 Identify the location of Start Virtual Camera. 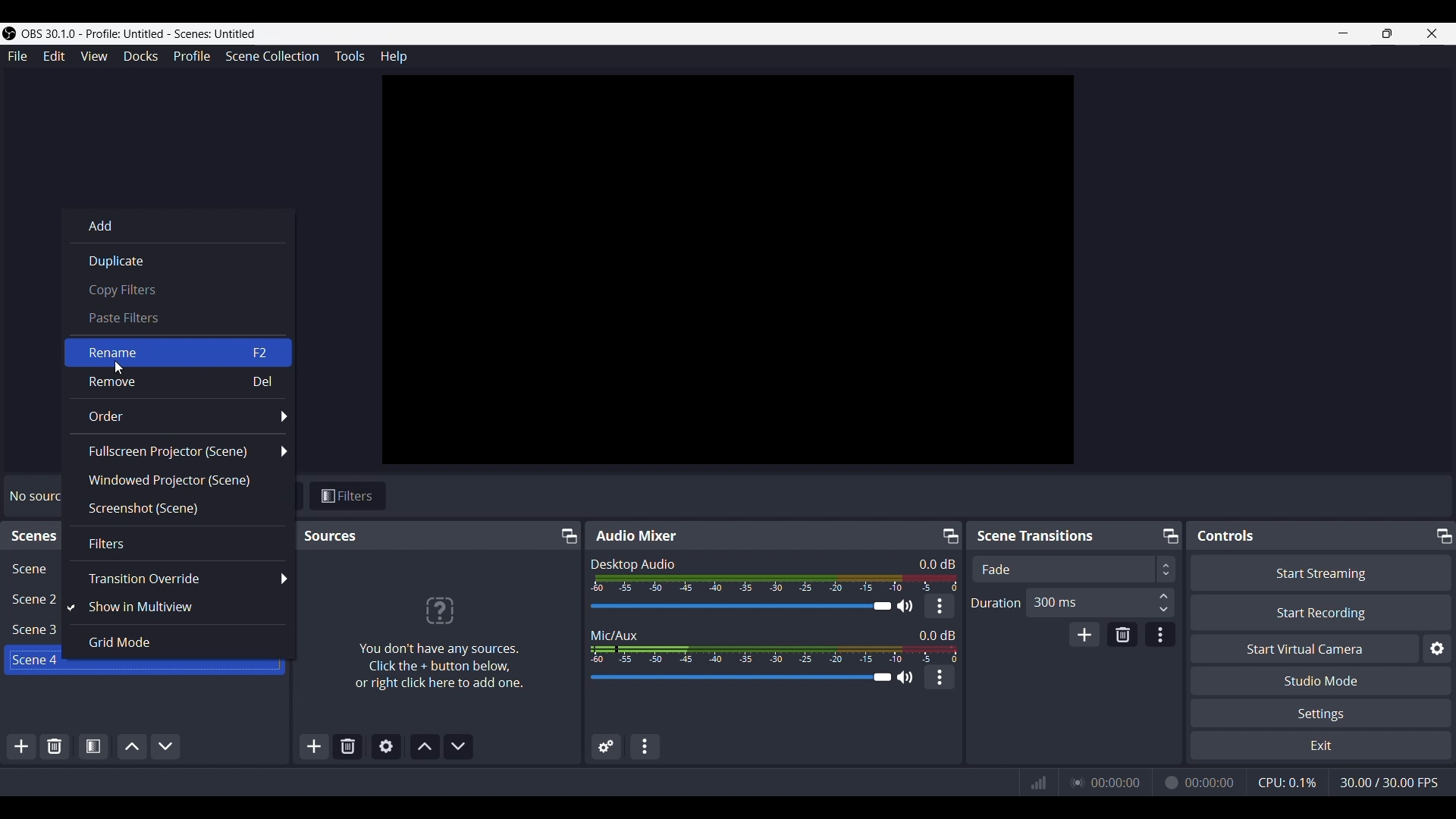
(1304, 649).